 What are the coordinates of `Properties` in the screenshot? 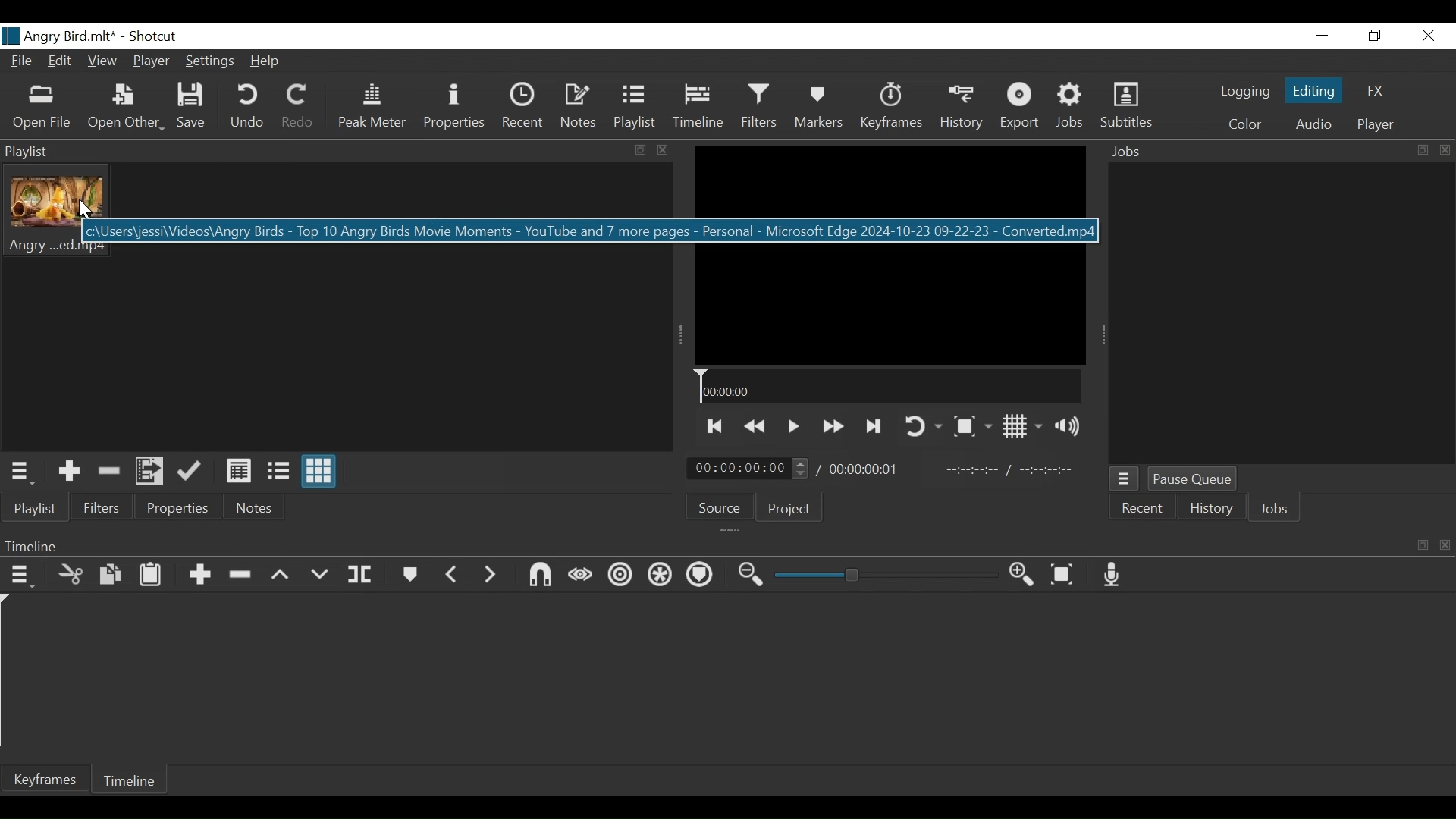 It's located at (456, 106).